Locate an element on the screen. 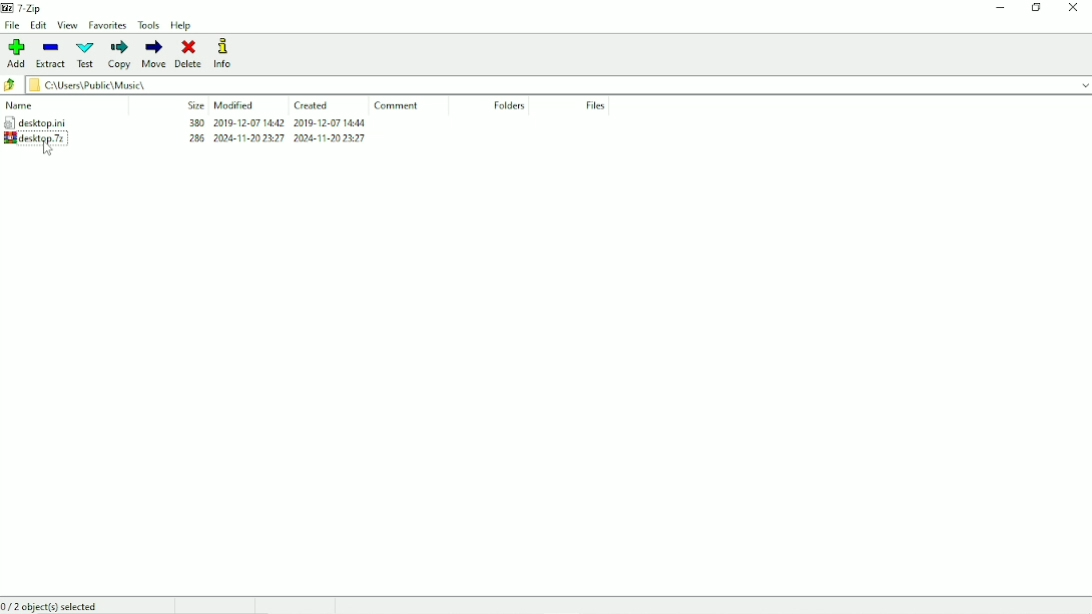 This screenshot has width=1092, height=614. 0/2 object(s) selected is located at coordinates (53, 605).